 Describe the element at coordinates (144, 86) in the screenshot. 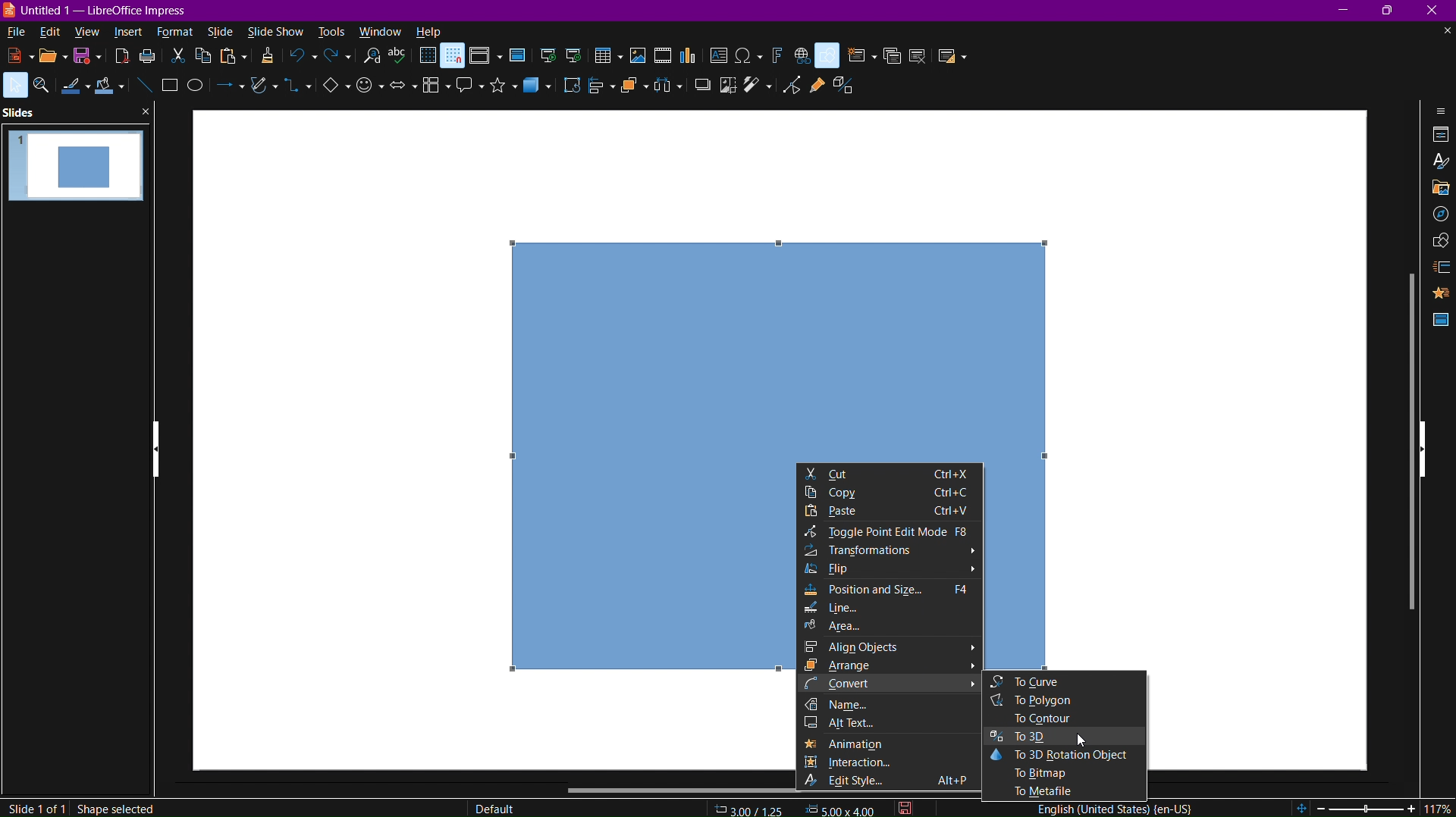

I see `Line` at that location.